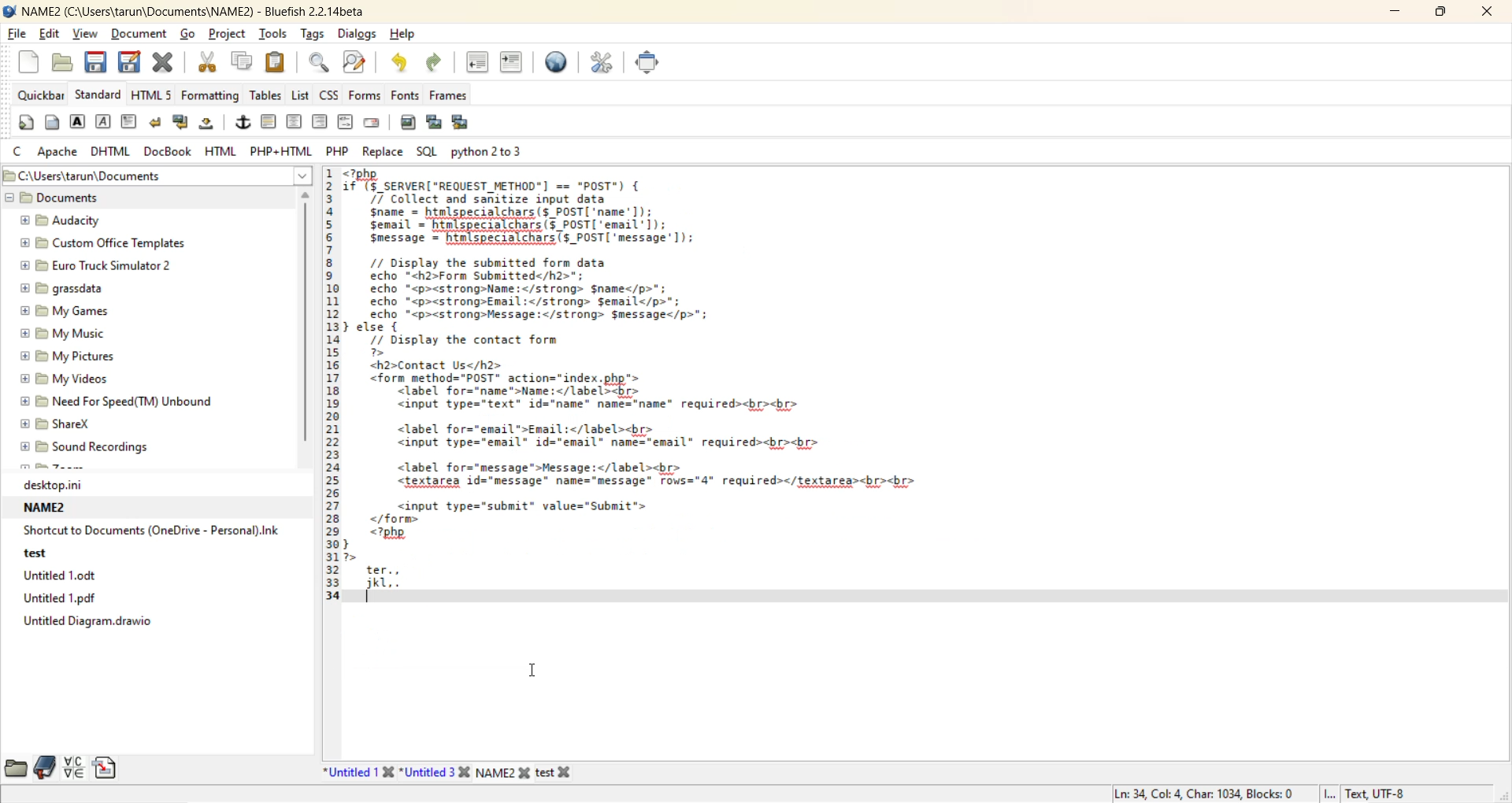 This screenshot has width=1512, height=803. I want to click on My Music, so click(65, 335).